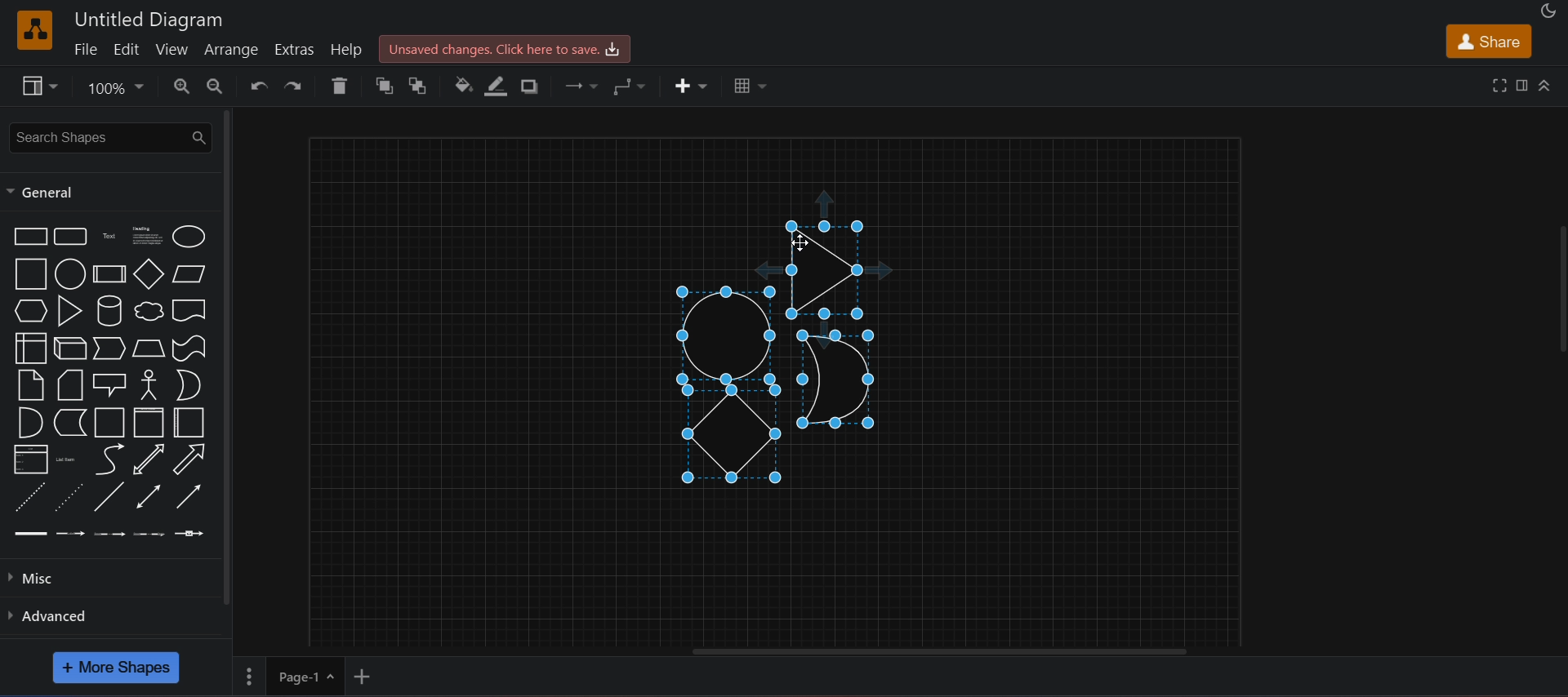 Image resolution: width=1568 pixels, height=697 pixels. I want to click on data storage, so click(71, 421).